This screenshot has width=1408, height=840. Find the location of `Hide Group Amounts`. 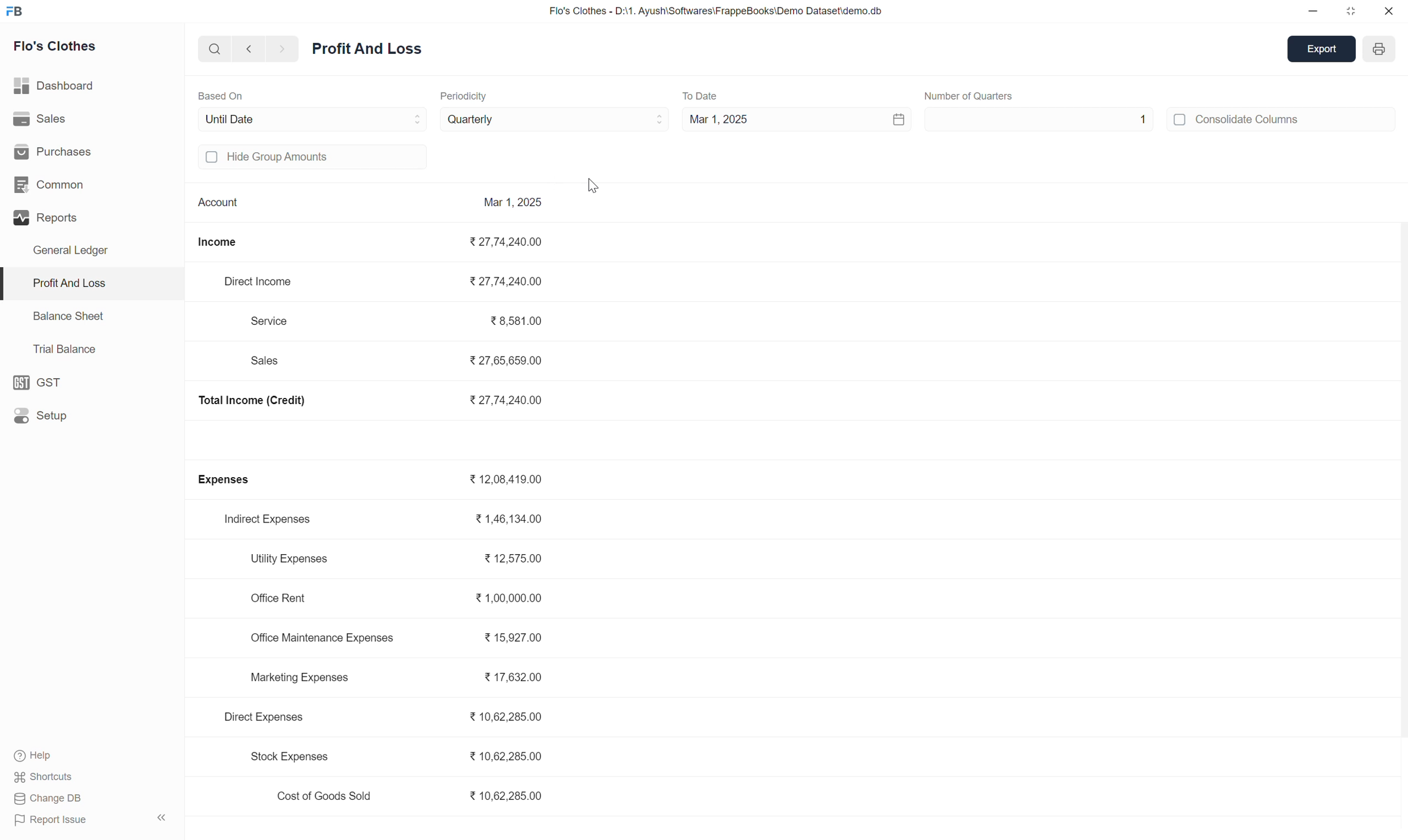

Hide Group Amounts is located at coordinates (290, 161).